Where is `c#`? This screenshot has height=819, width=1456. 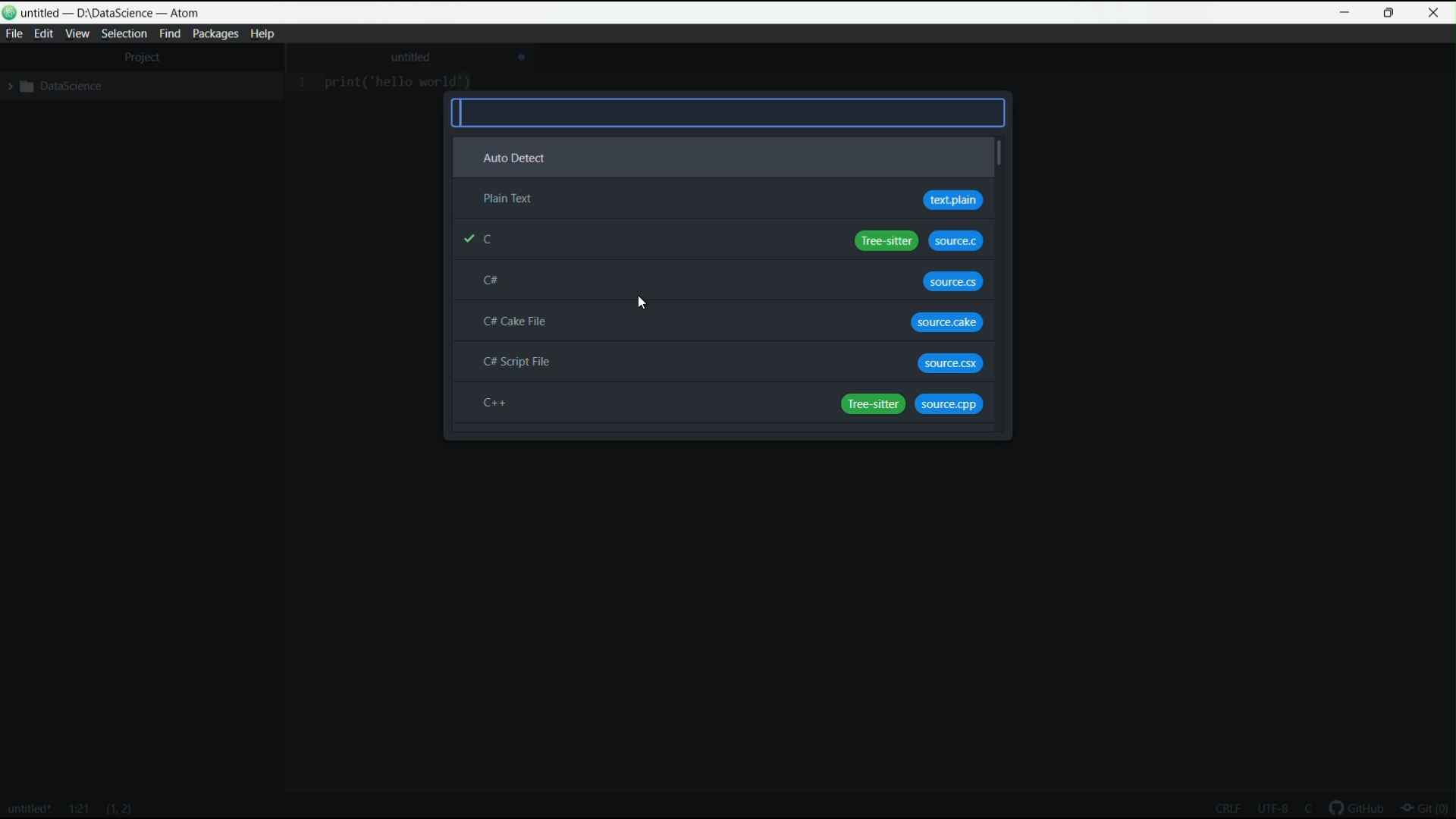
c# is located at coordinates (491, 281).